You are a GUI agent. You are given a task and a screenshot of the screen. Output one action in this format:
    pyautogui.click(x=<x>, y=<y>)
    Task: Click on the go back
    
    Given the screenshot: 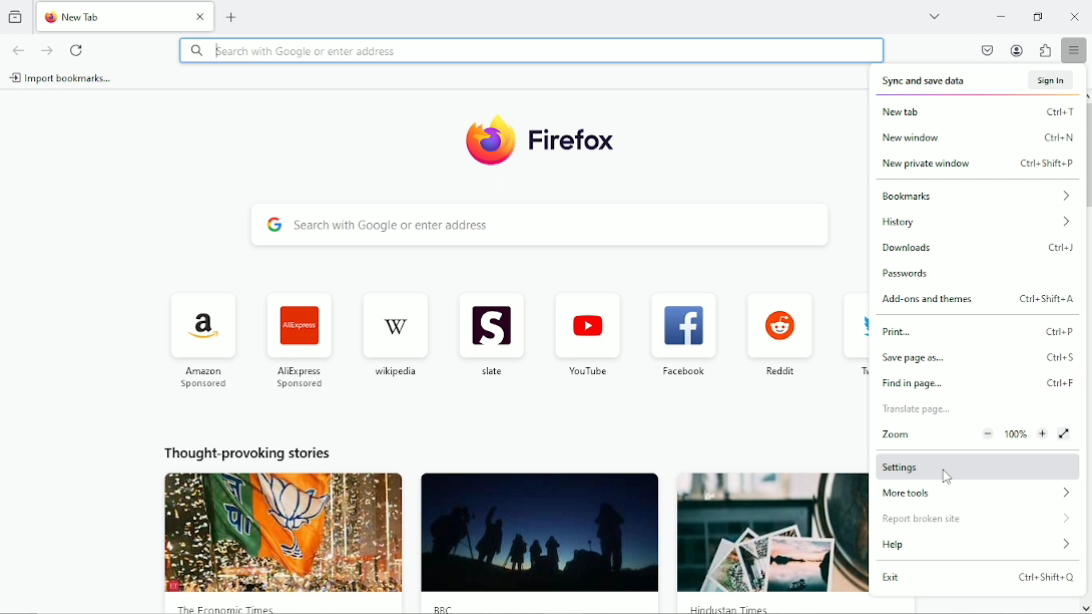 What is the action you would take?
    pyautogui.click(x=18, y=51)
    